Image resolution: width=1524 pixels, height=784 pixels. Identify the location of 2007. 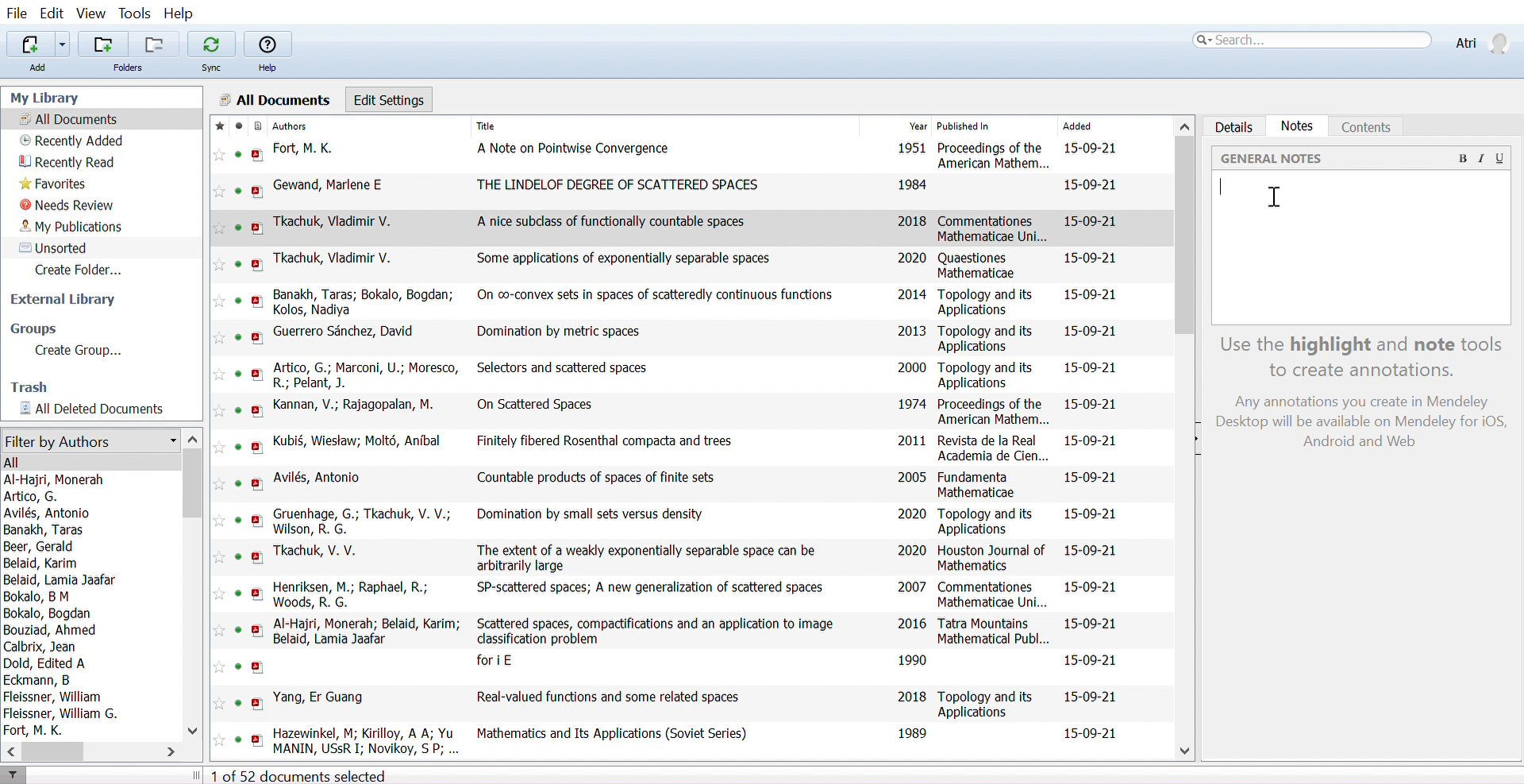
(911, 586).